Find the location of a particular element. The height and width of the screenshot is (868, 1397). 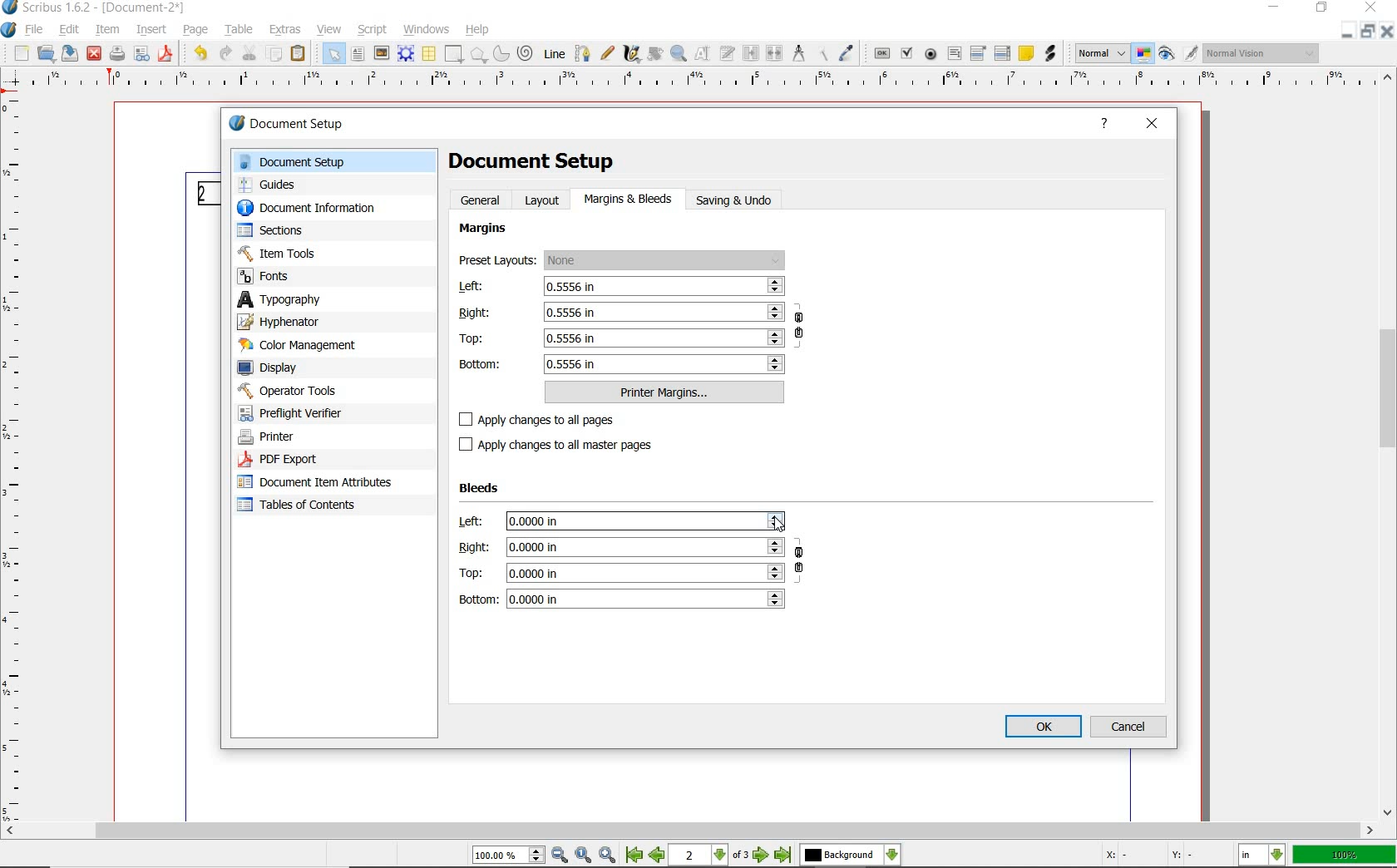

copy is located at coordinates (274, 55).